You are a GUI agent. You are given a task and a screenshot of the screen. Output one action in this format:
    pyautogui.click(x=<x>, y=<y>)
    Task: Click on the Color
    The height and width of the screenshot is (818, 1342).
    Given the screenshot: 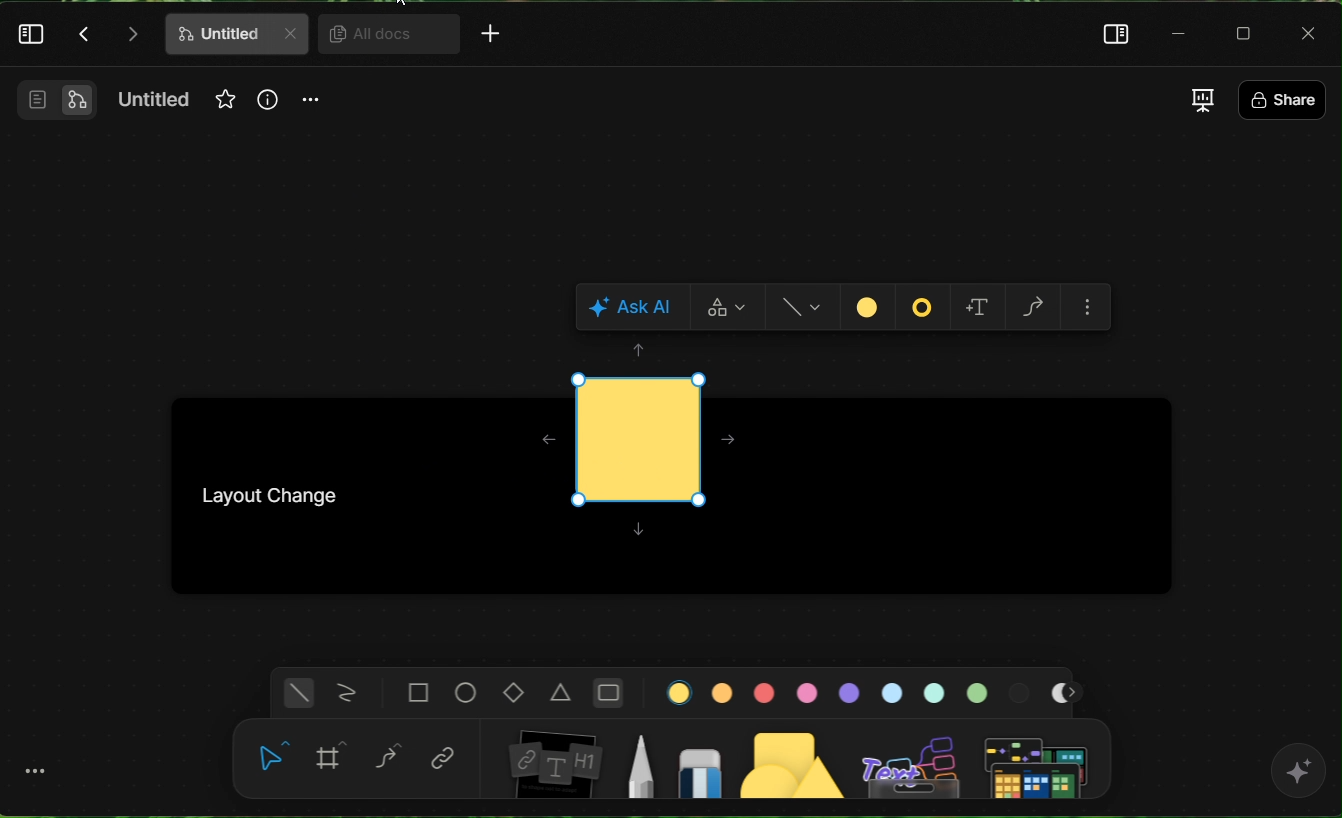 What is the action you would take?
    pyautogui.click(x=870, y=307)
    